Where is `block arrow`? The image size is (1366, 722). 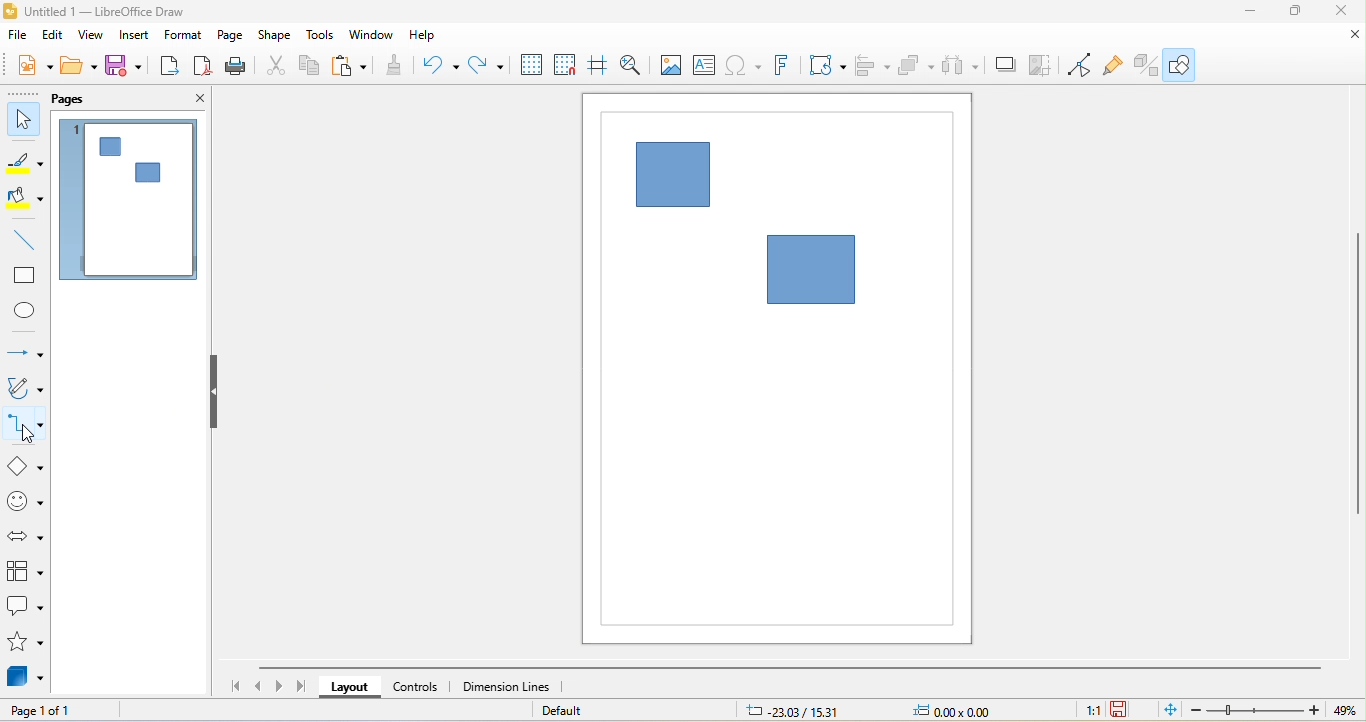 block arrow is located at coordinates (27, 537).